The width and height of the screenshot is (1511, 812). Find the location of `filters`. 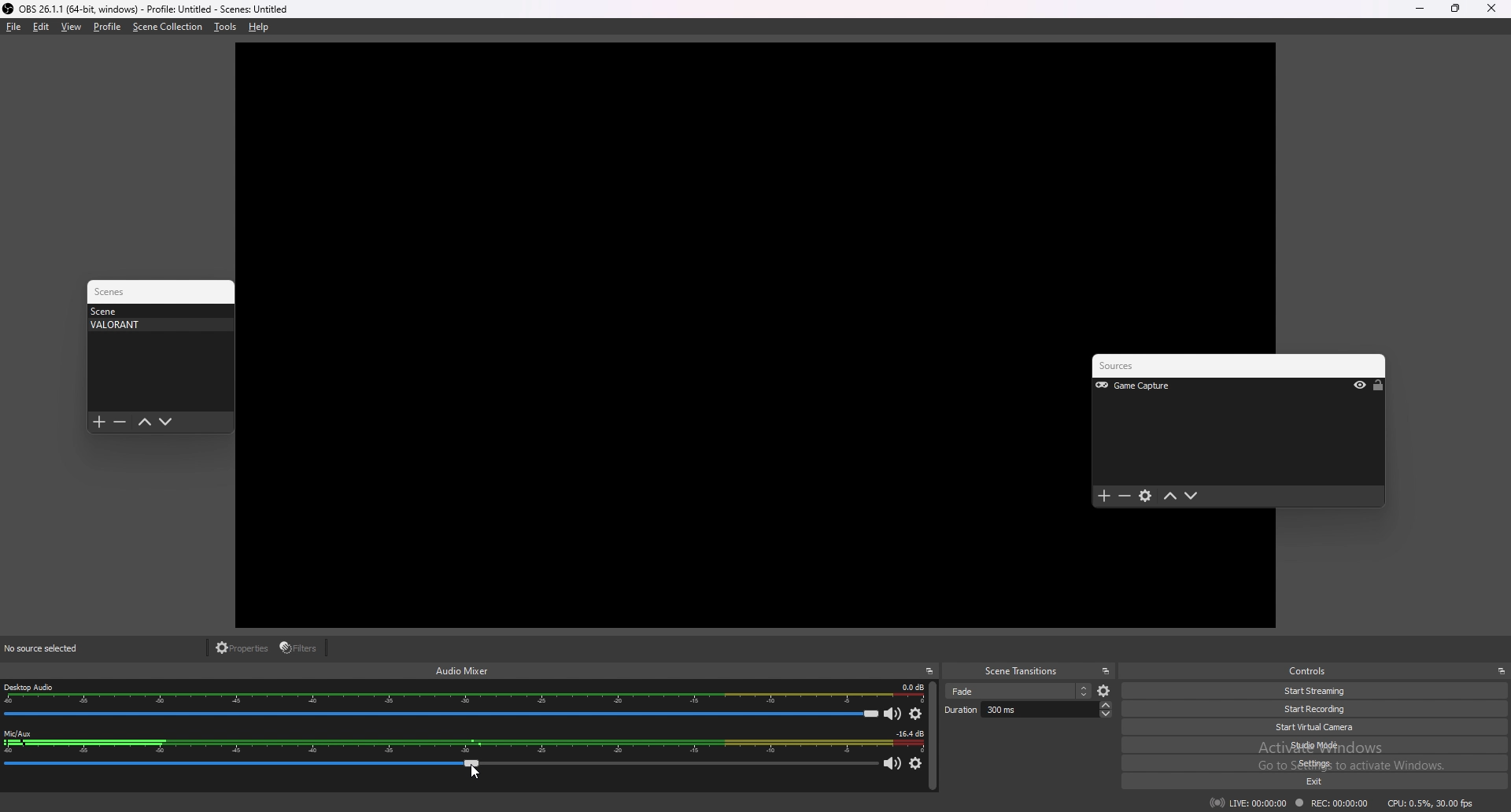

filters is located at coordinates (301, 648).